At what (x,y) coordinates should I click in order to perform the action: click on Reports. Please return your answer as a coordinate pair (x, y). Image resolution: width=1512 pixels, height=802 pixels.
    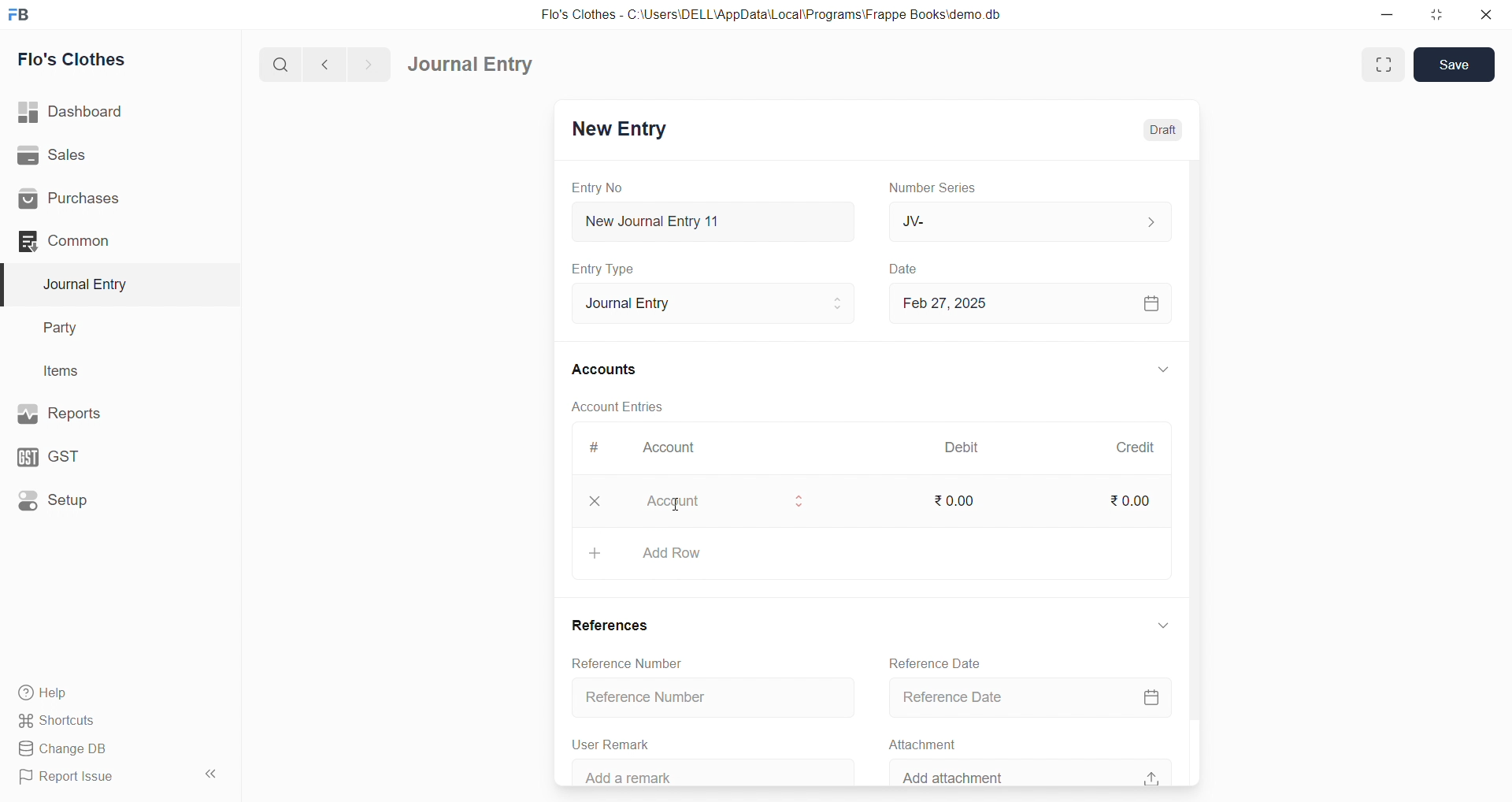
    Looking at the image, I should click on (93, 414).